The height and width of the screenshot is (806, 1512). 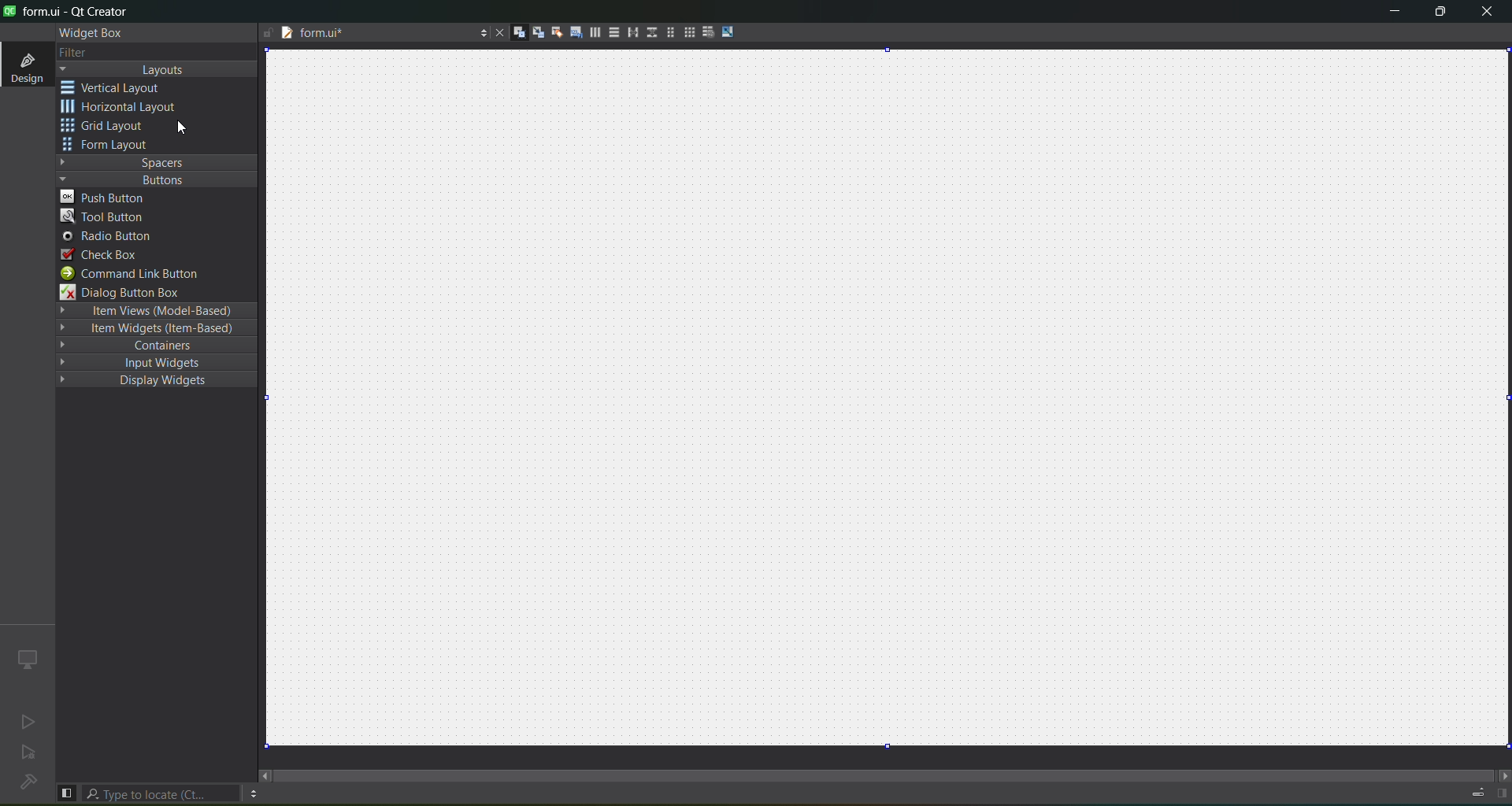 What do you see at coordinates (108, 128) in the screenshot?
I see `grid layout` at bounding box center [108, 128].